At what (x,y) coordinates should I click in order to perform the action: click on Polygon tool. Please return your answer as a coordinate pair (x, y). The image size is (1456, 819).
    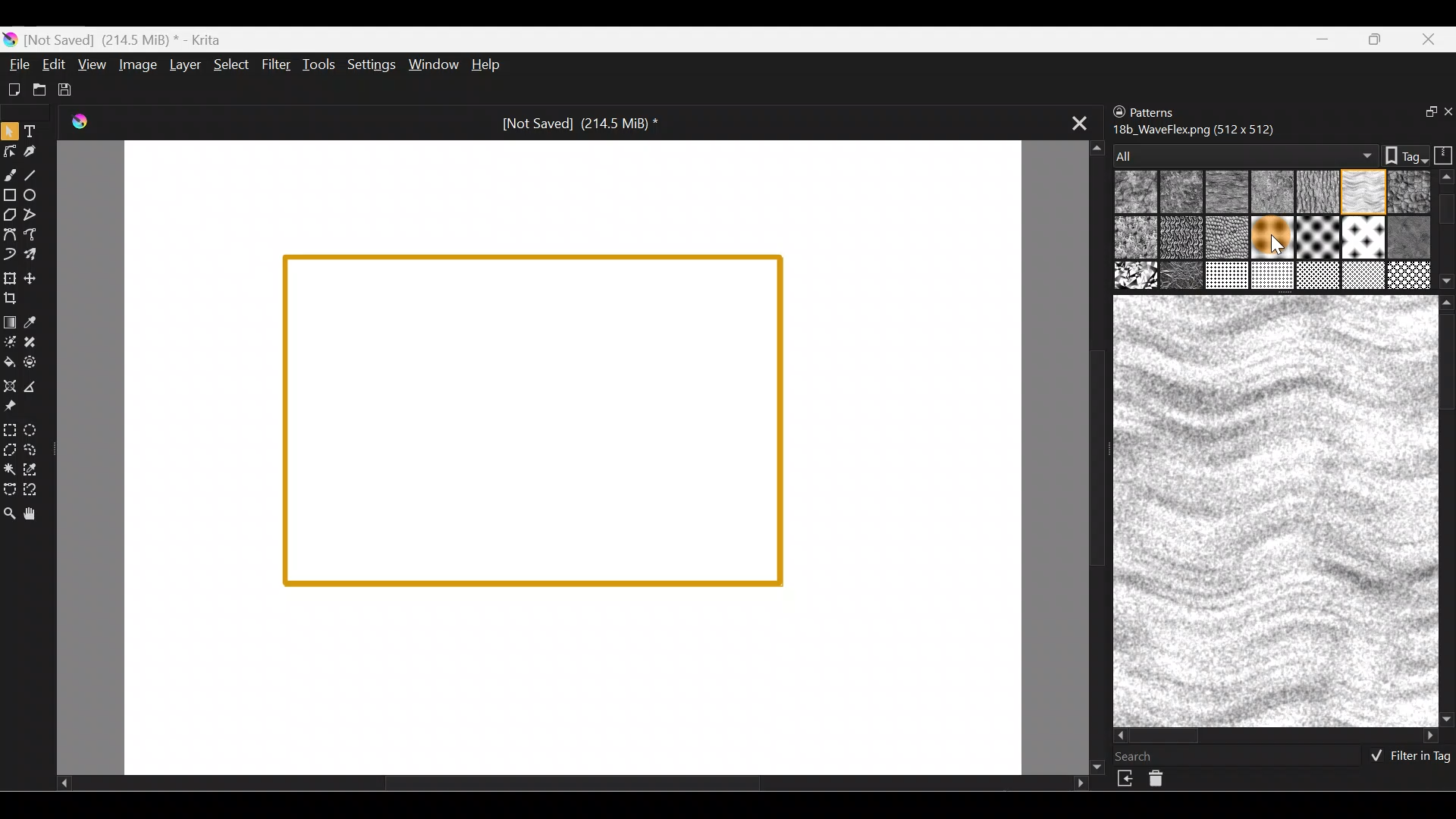
    Looking at the image, I should click on (9, 212).